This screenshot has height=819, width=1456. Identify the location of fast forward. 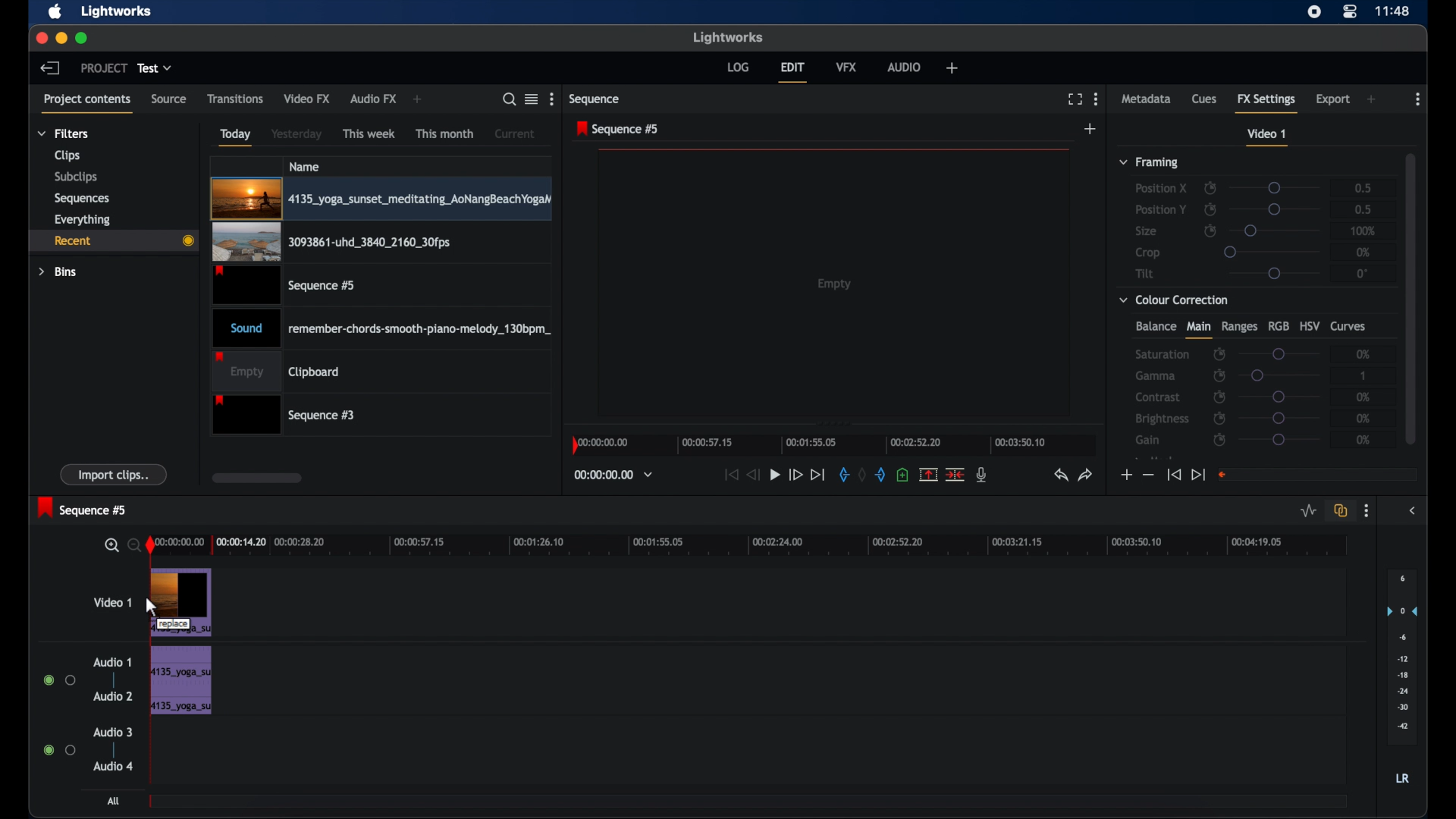
(795, 475).